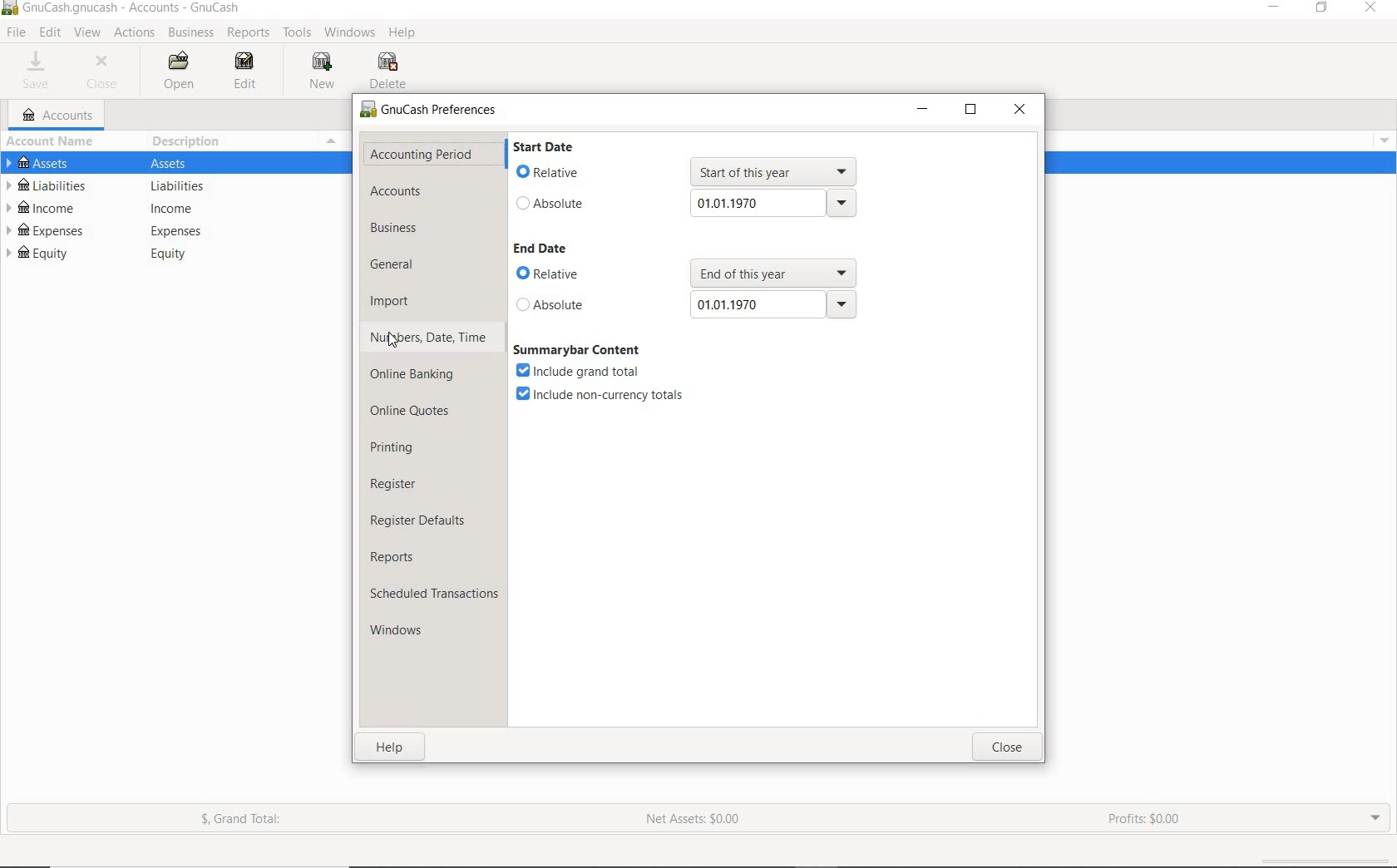 This screenshot has width=1397, height=868. What do you see at coordinates (550, 173) in the screenshot?
I see `relative` at bounding box center [550, 173].